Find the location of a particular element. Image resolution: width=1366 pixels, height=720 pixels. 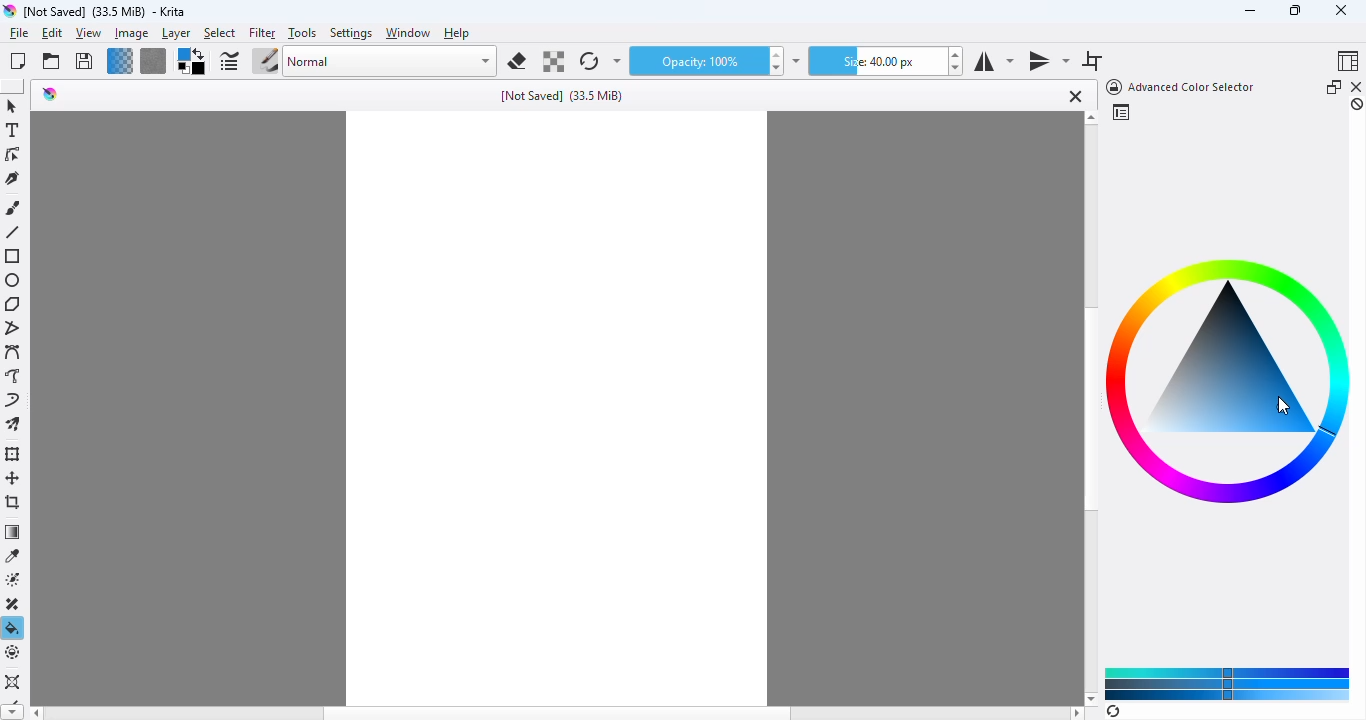

open an existing document is located at coordinates (51, 61).